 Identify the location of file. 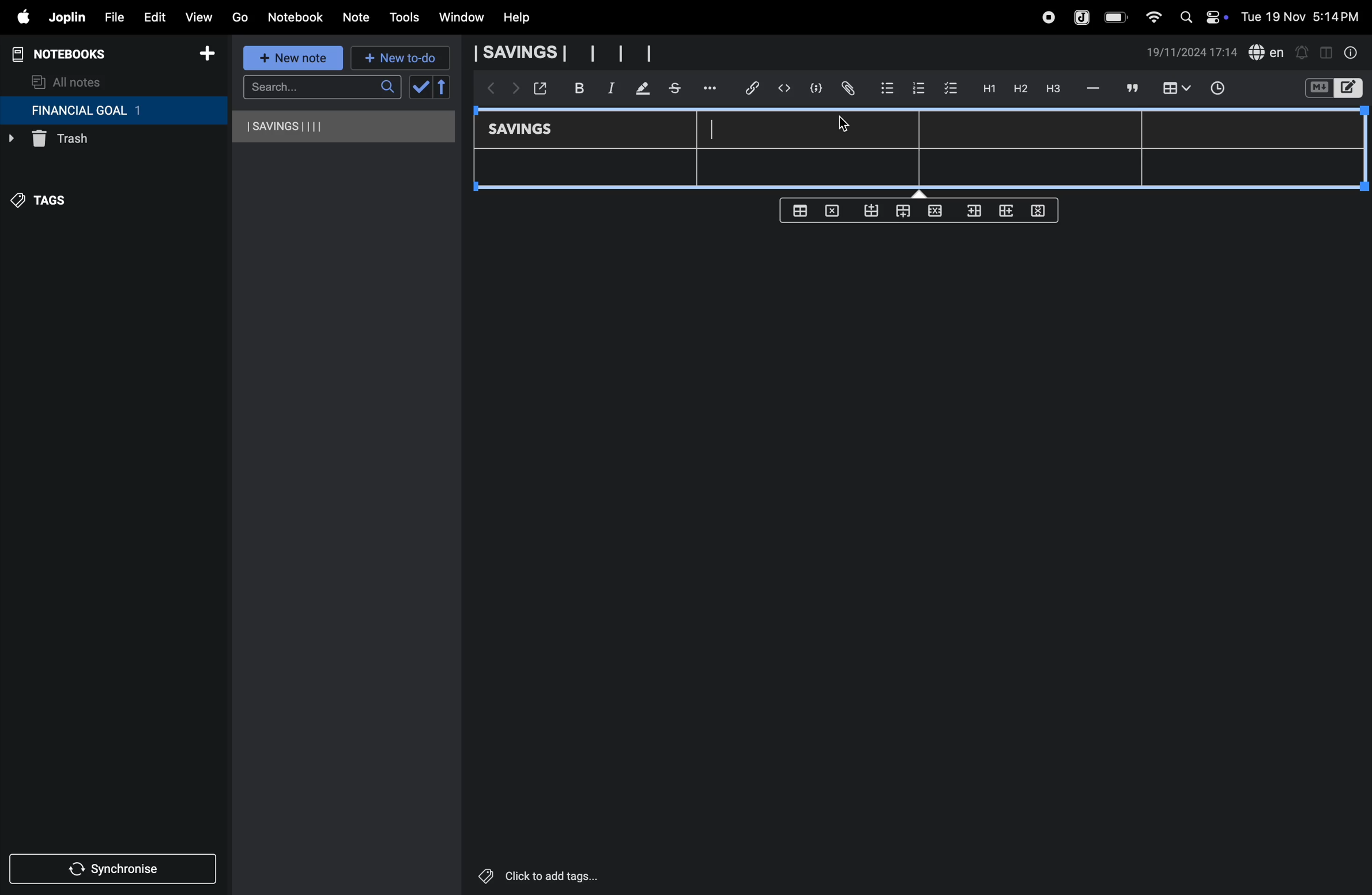
(110, 16).